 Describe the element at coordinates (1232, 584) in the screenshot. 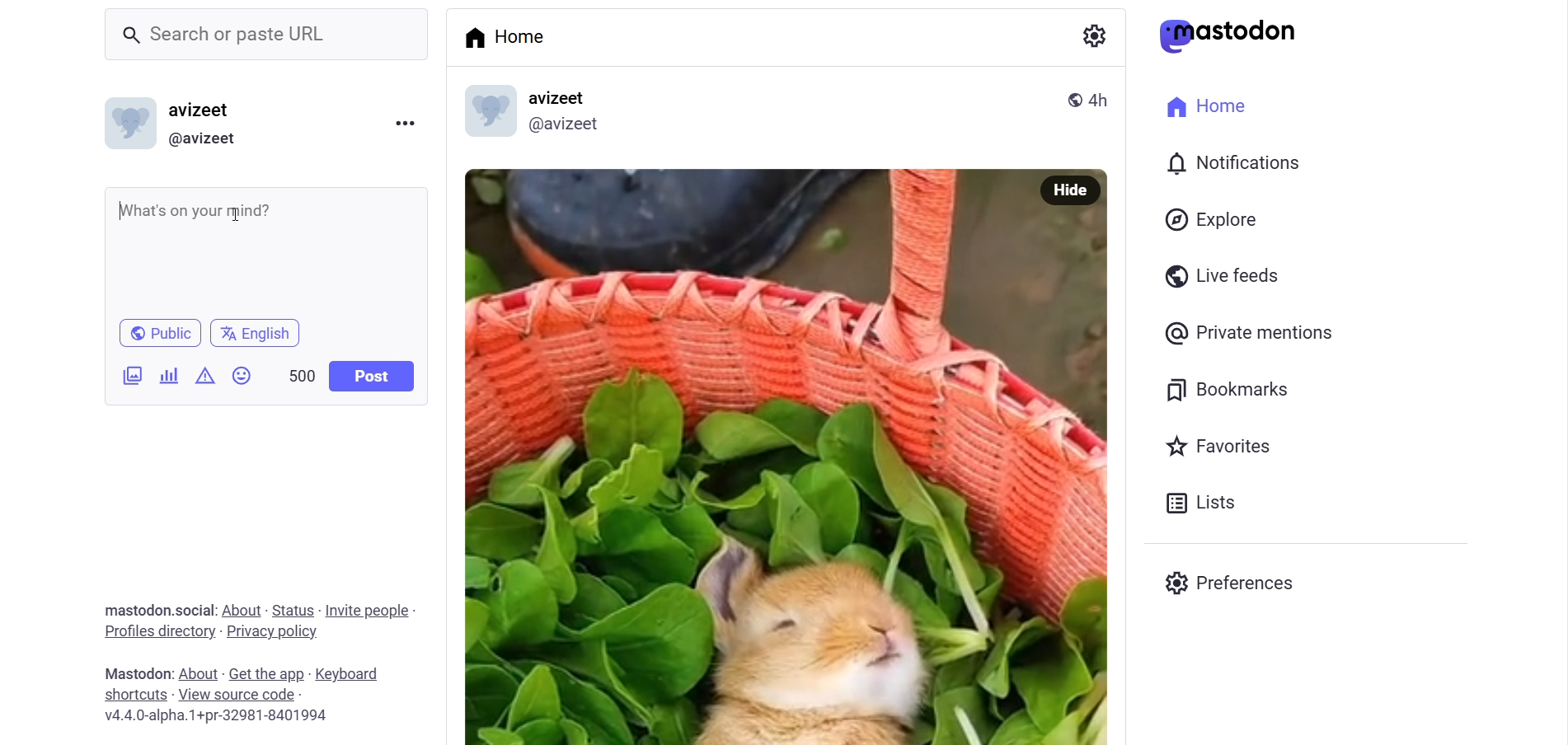

I see `Preferenes` at that location.